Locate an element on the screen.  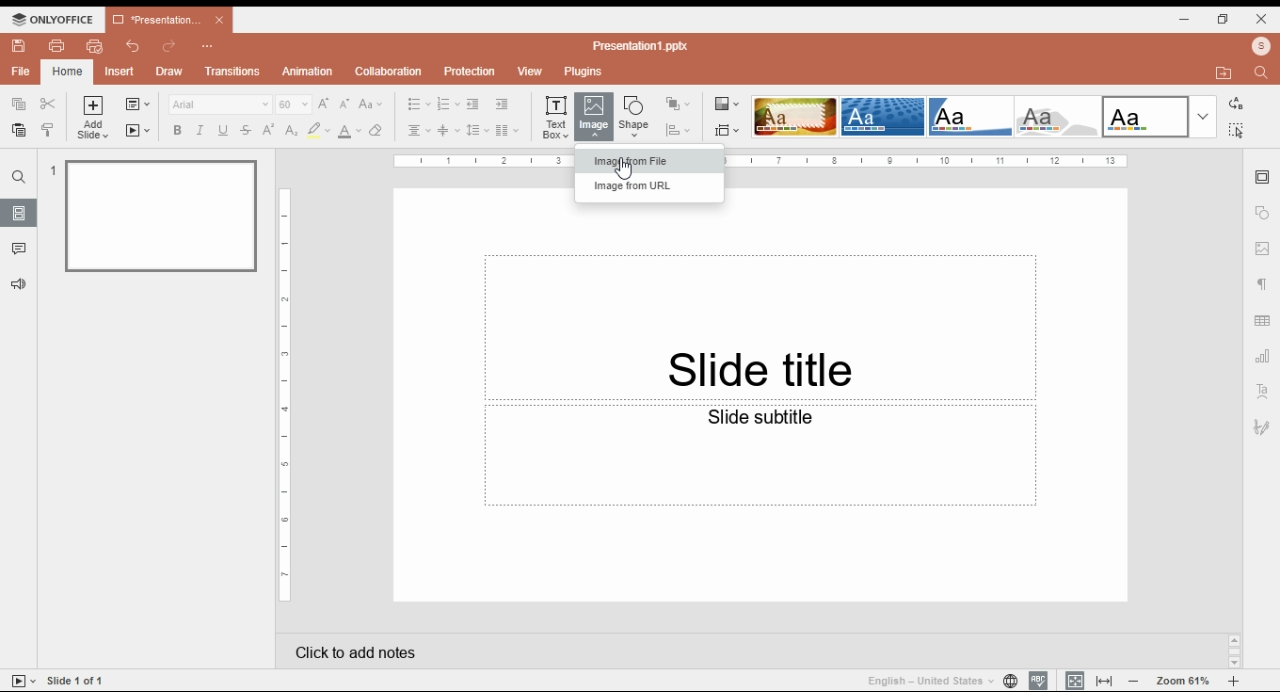
draw is located at coordinates (170, 72).